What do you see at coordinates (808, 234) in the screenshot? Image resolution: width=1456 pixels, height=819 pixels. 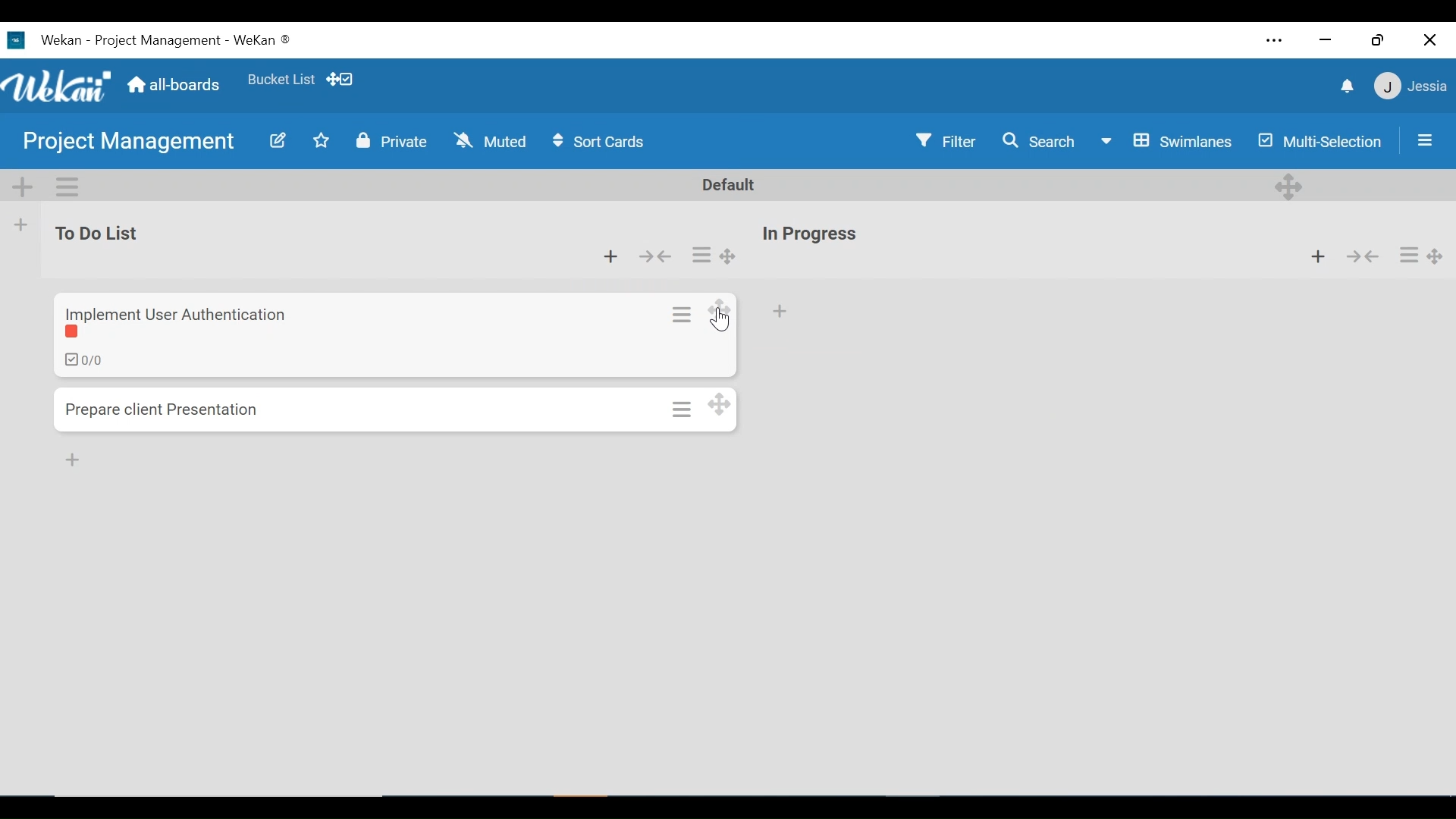 I see `In progress` at bounding box center [808, 234].